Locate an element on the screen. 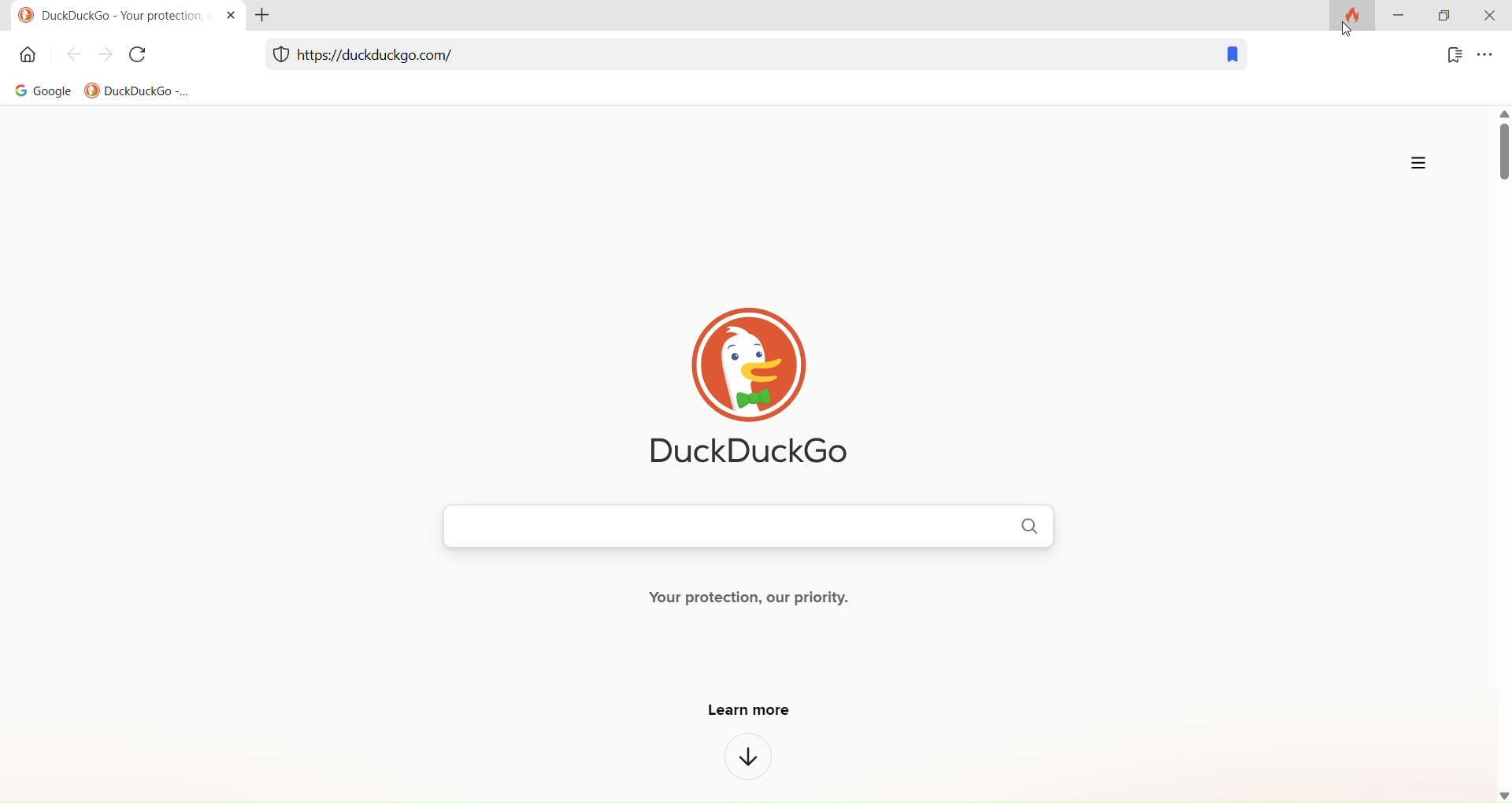  cursor is located at coordinates (1347, 29).